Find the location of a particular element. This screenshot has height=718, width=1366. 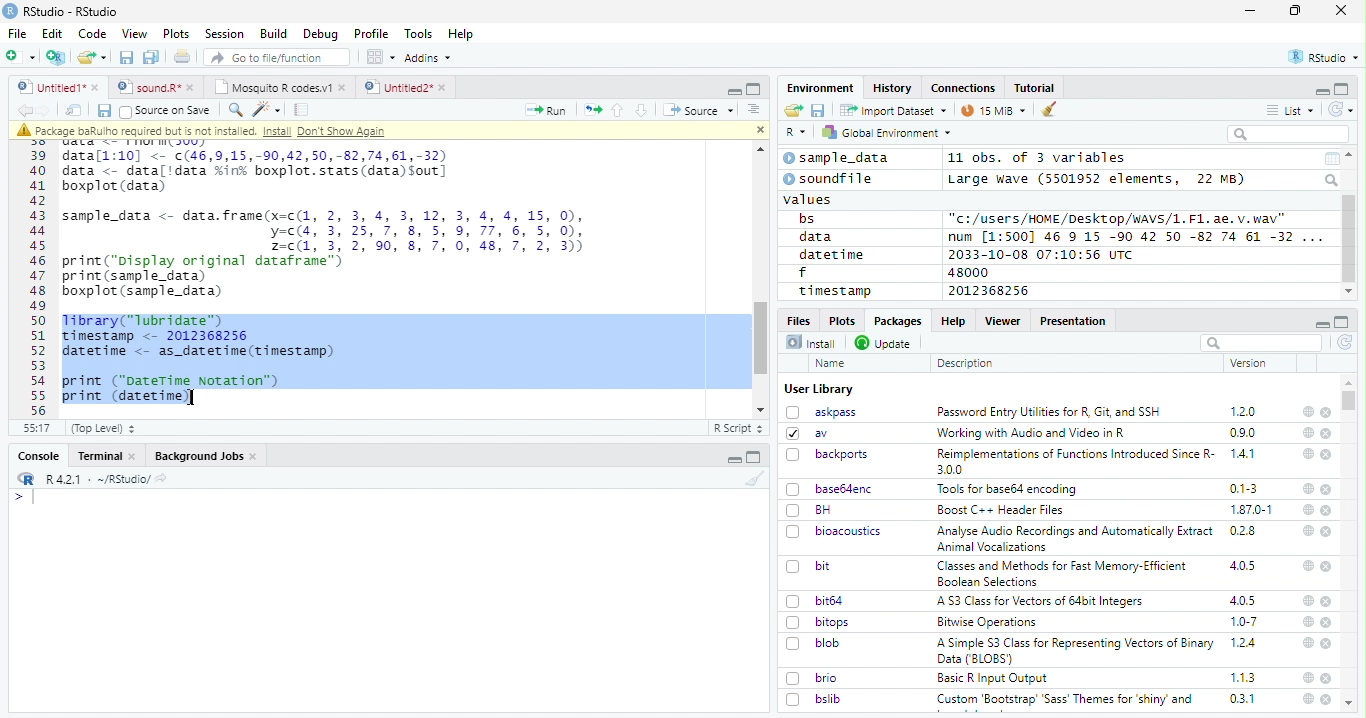

close is located at coordinates (757, 128).